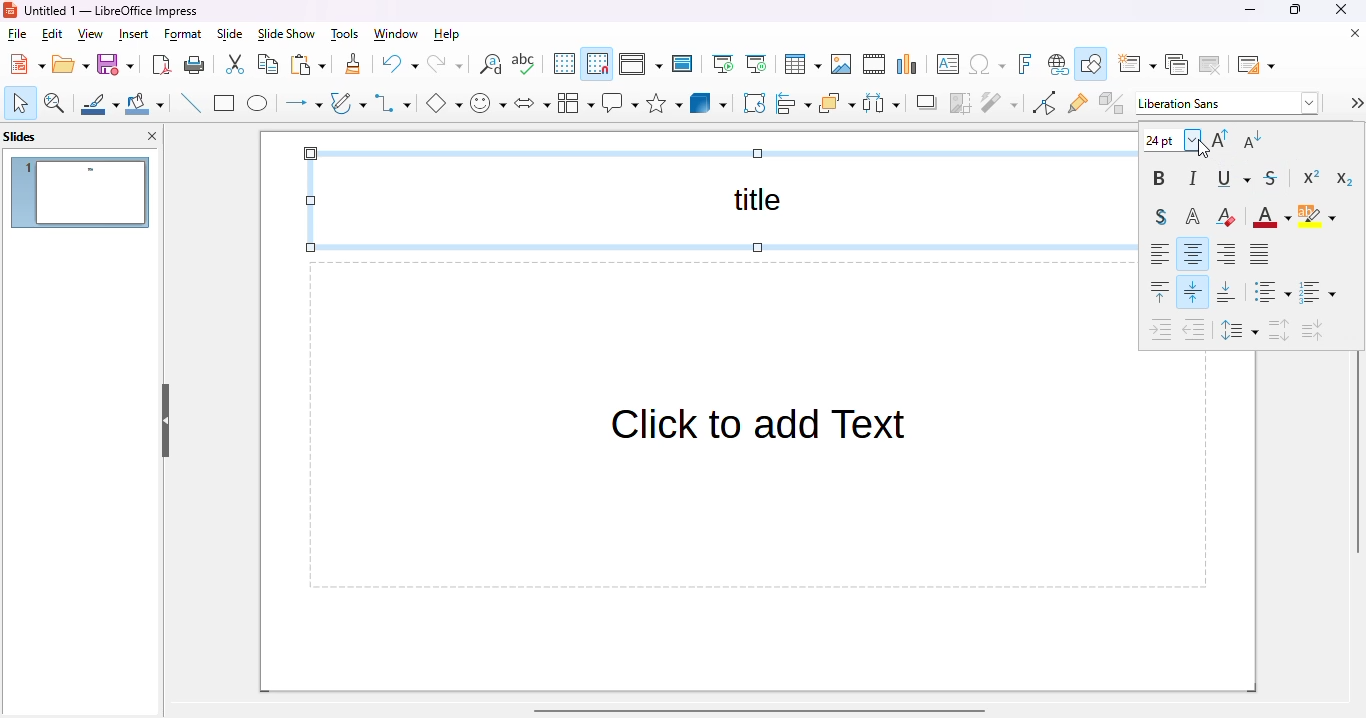 The width and height of the screenshot is (1366, 718). I want to click on underline, so click(1234, 179).